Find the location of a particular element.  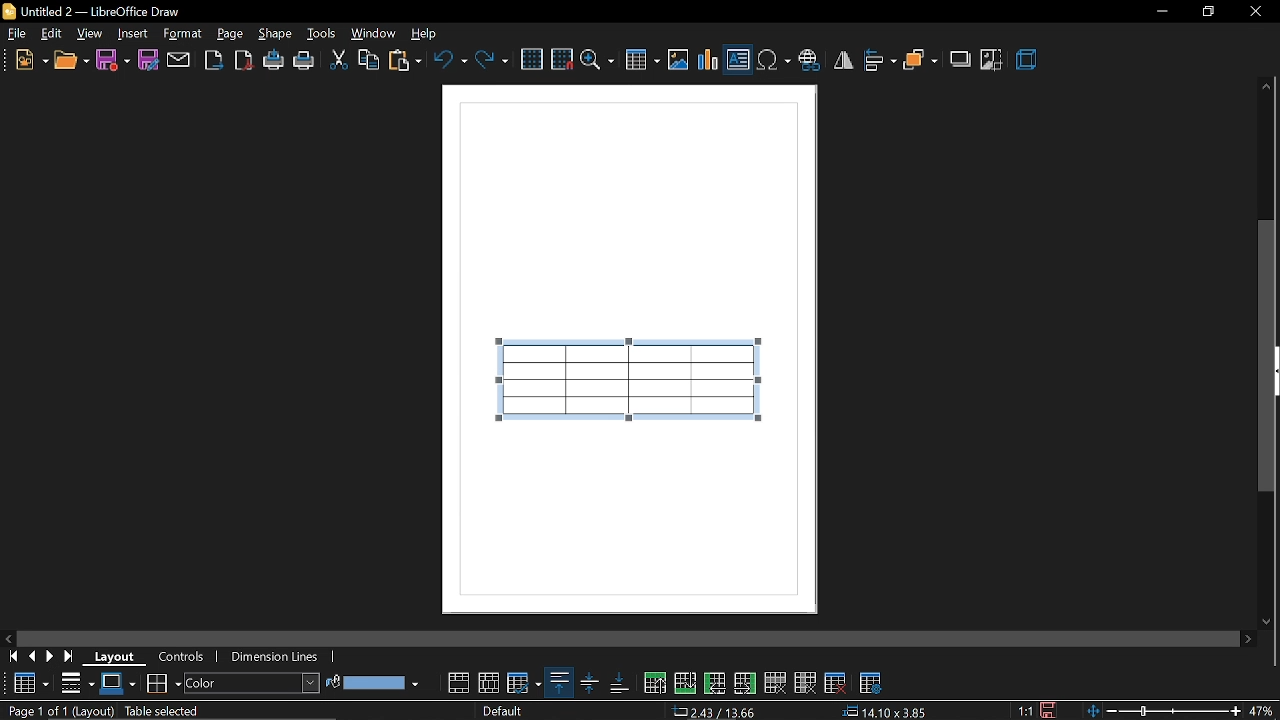

format is located at coordinates (183, 33).